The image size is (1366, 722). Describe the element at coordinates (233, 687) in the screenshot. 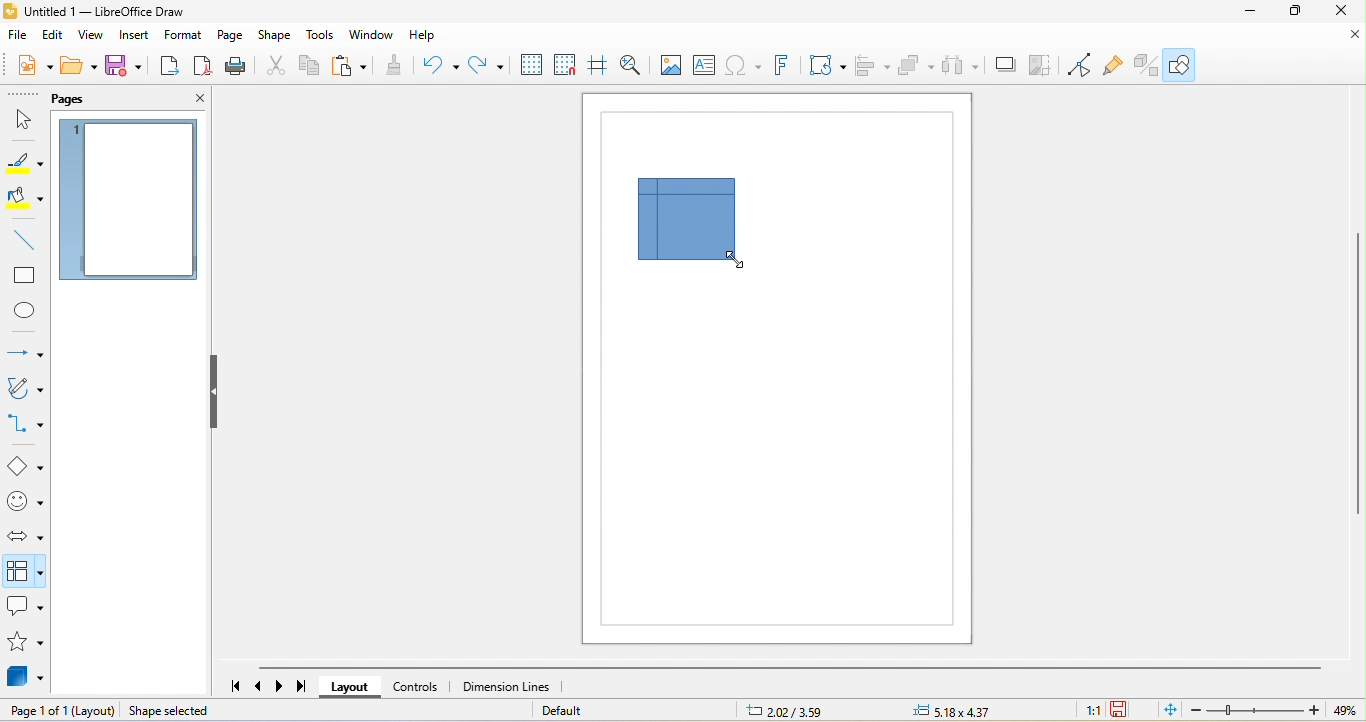

I see `scroll to first page` at that location.